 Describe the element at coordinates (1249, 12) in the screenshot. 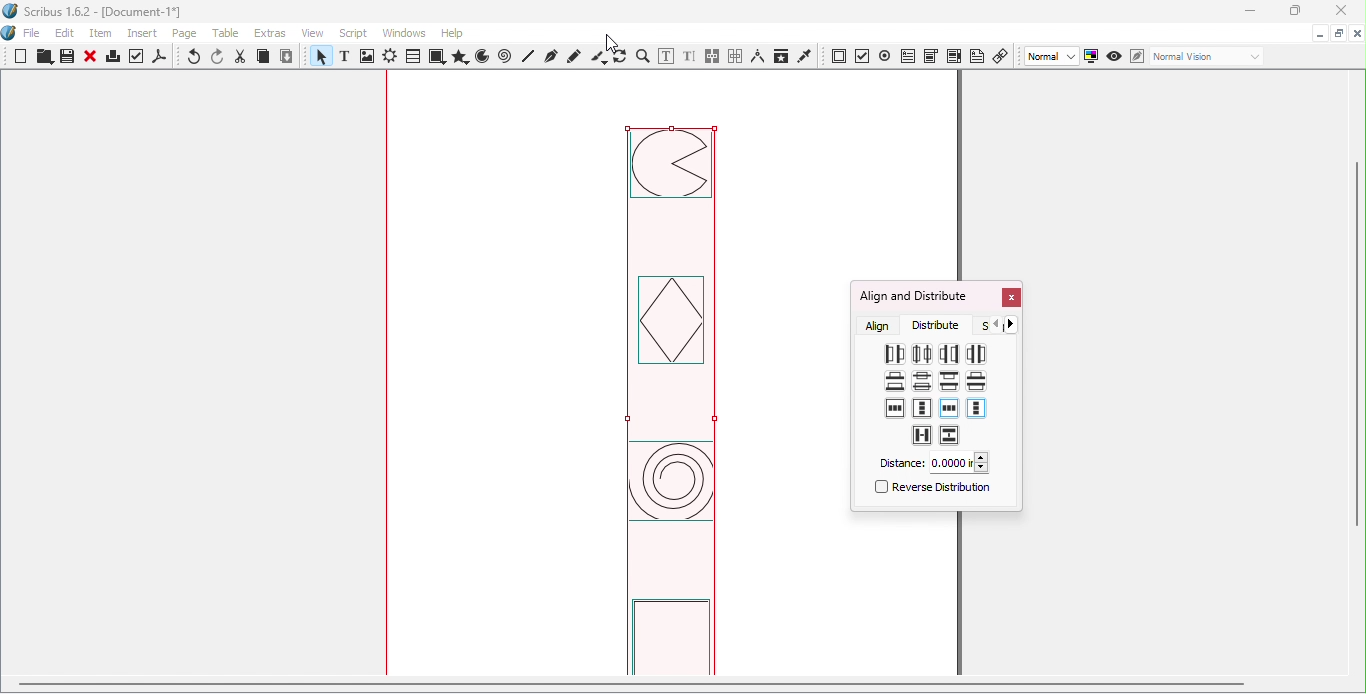

I see `Minimize` at that location.